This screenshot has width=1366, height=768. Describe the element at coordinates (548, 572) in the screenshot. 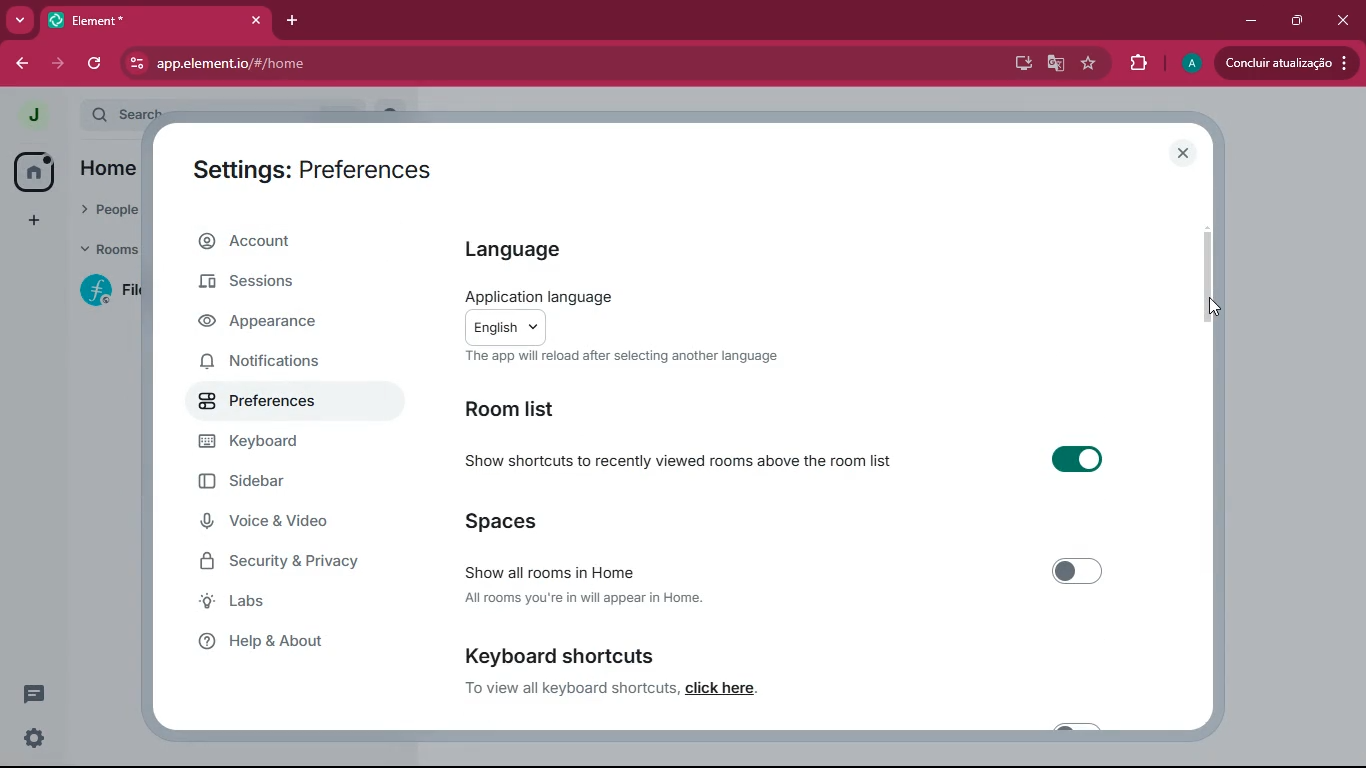

I see `show all rooms in home` at that location.